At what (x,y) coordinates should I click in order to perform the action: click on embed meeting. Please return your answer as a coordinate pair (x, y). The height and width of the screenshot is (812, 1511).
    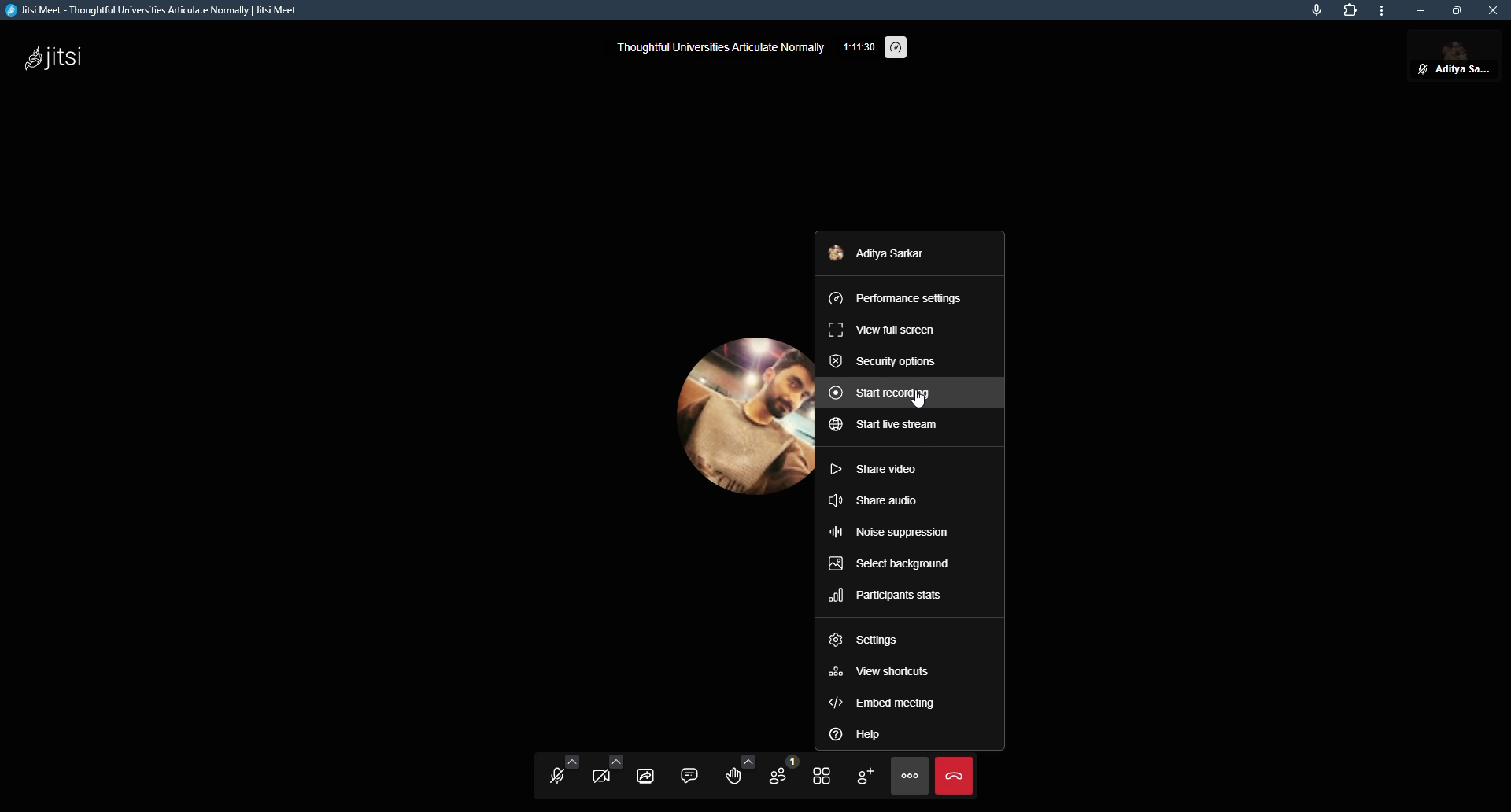
    Looking at the image, I should click on (885, 703).